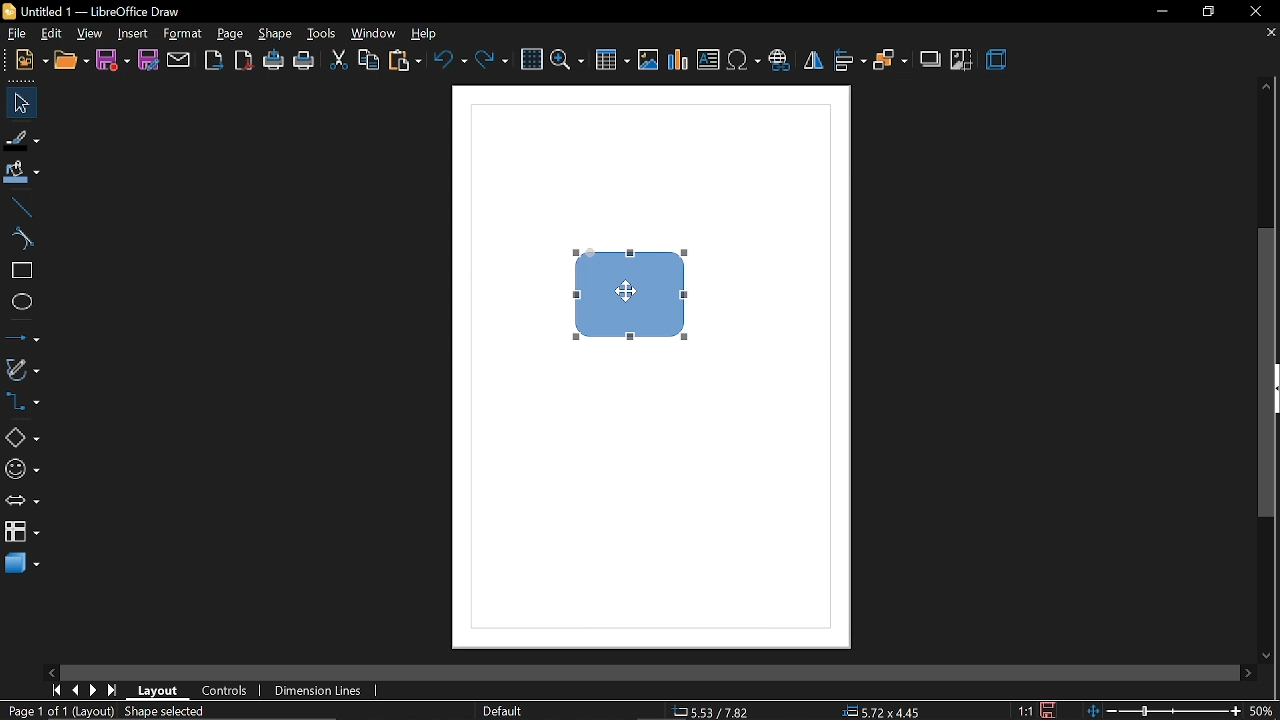 The height and width of the screenshot is (720, 1280). Describe the element at coordinates (452, 62) in the screenshot. I see `undo` at that location.